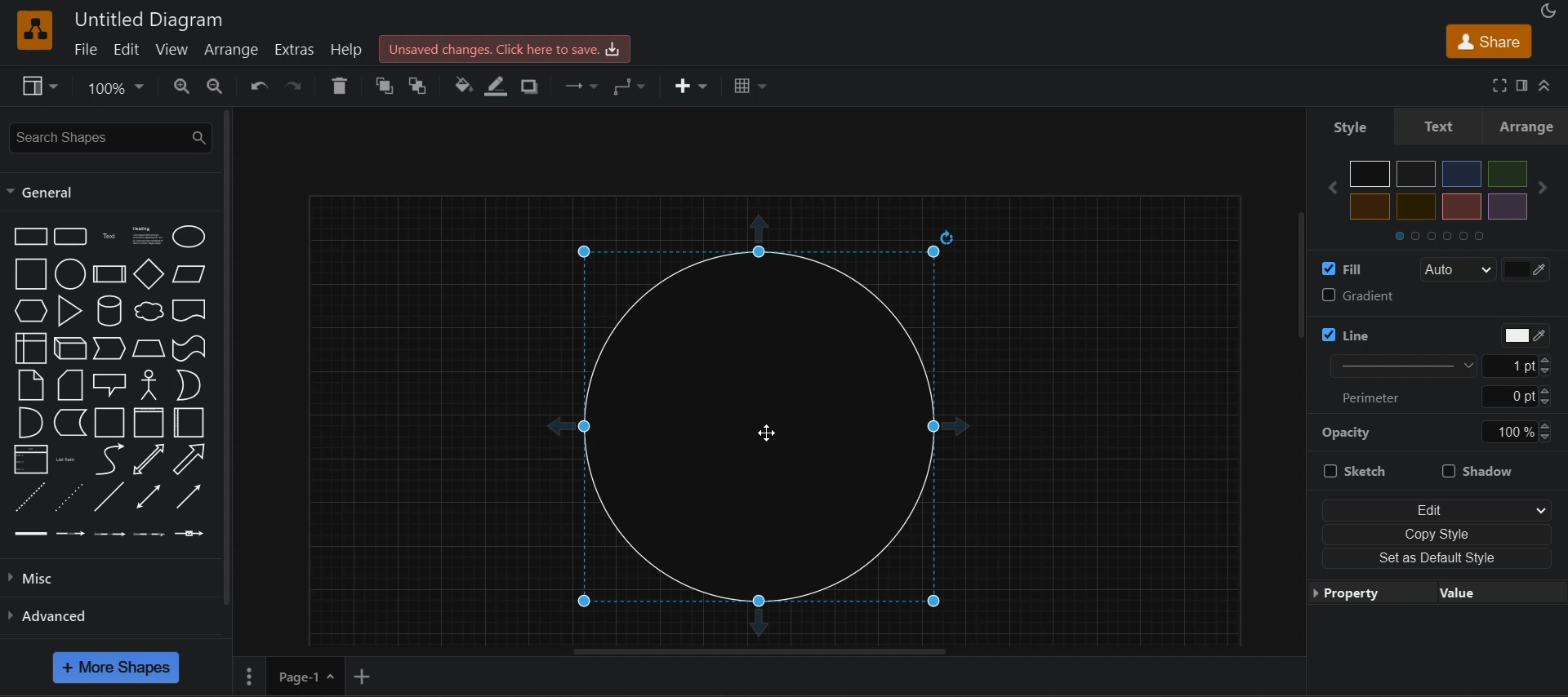  I want to click on ellipse, so click(191, 237).